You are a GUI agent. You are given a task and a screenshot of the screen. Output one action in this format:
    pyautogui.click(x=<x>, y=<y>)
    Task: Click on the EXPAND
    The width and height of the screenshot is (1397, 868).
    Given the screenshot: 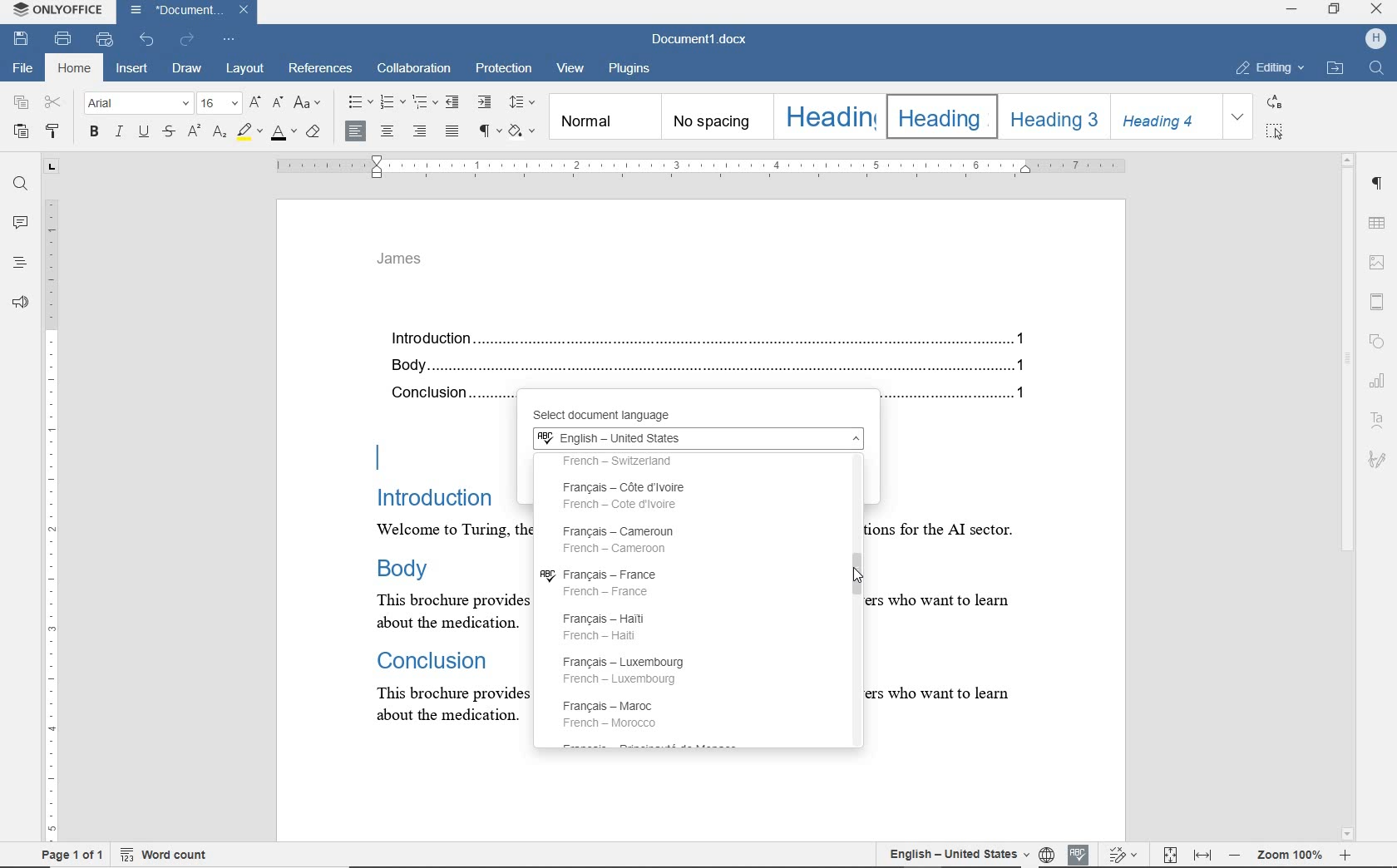 What is the action you would take?
    pyautogui.click(x=1239, y=117)
    